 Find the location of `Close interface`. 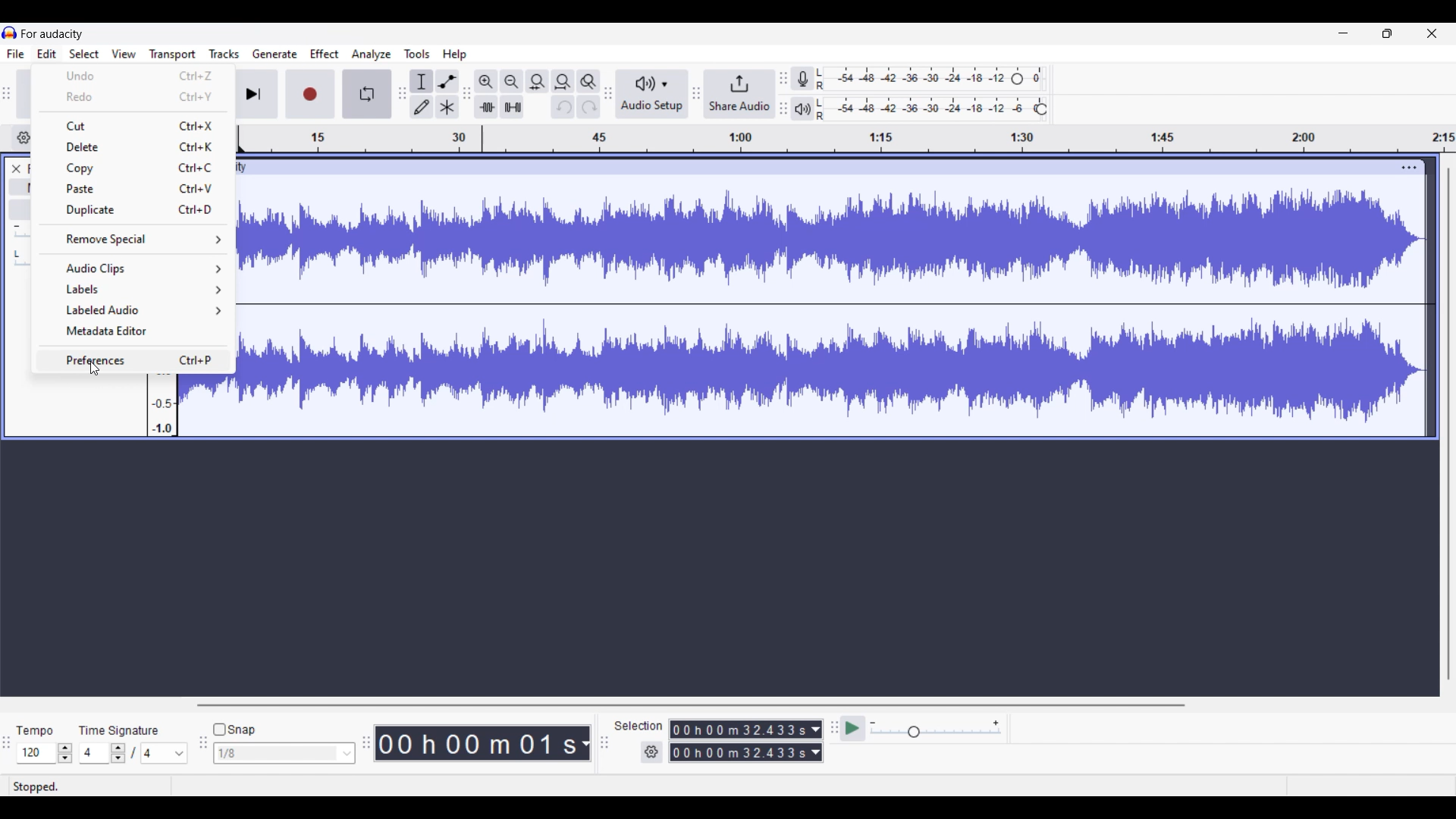

Close interface is located at coordinates (1432, 33).